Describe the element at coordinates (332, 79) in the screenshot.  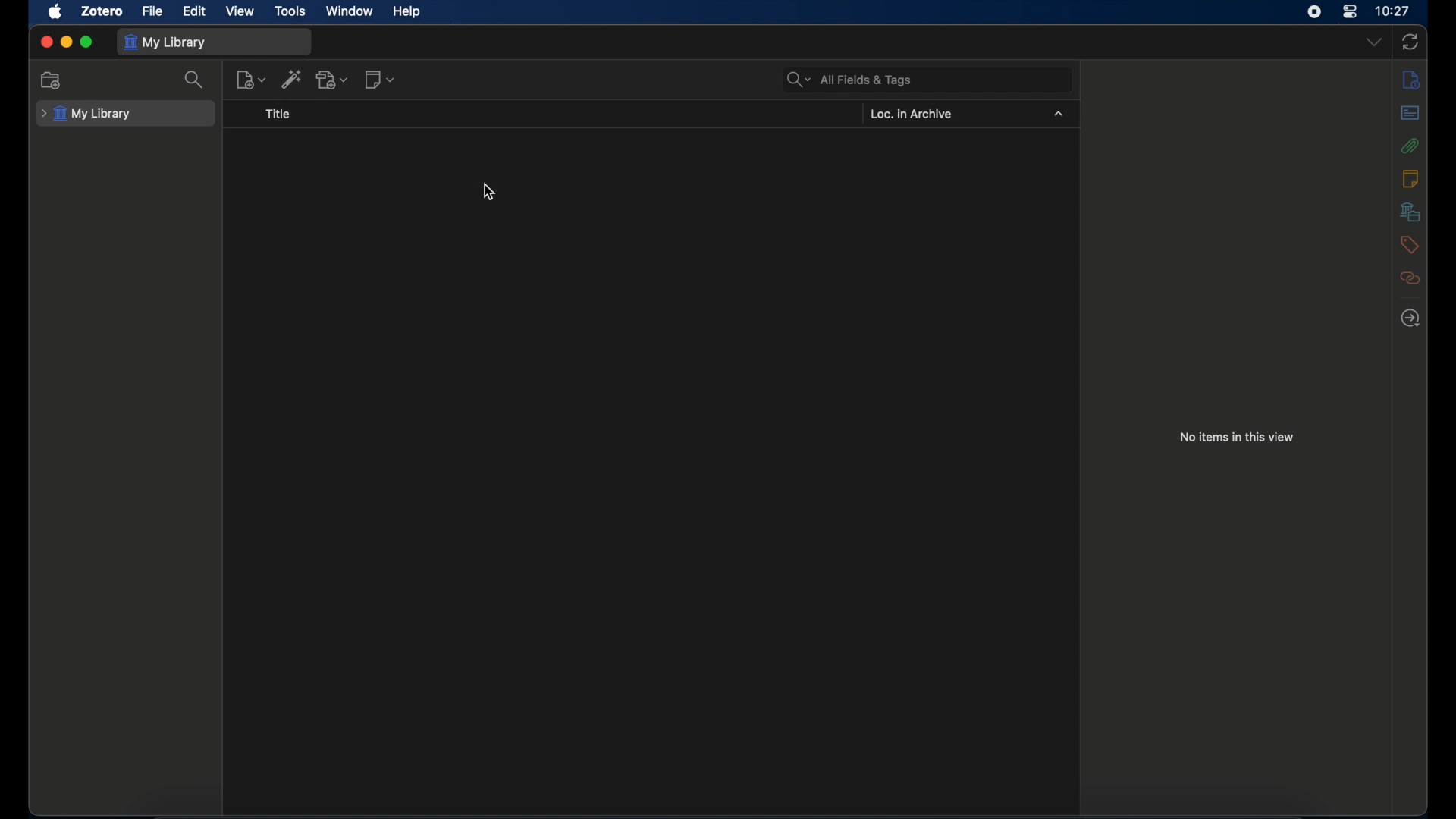
I see `add attachments` at that location.